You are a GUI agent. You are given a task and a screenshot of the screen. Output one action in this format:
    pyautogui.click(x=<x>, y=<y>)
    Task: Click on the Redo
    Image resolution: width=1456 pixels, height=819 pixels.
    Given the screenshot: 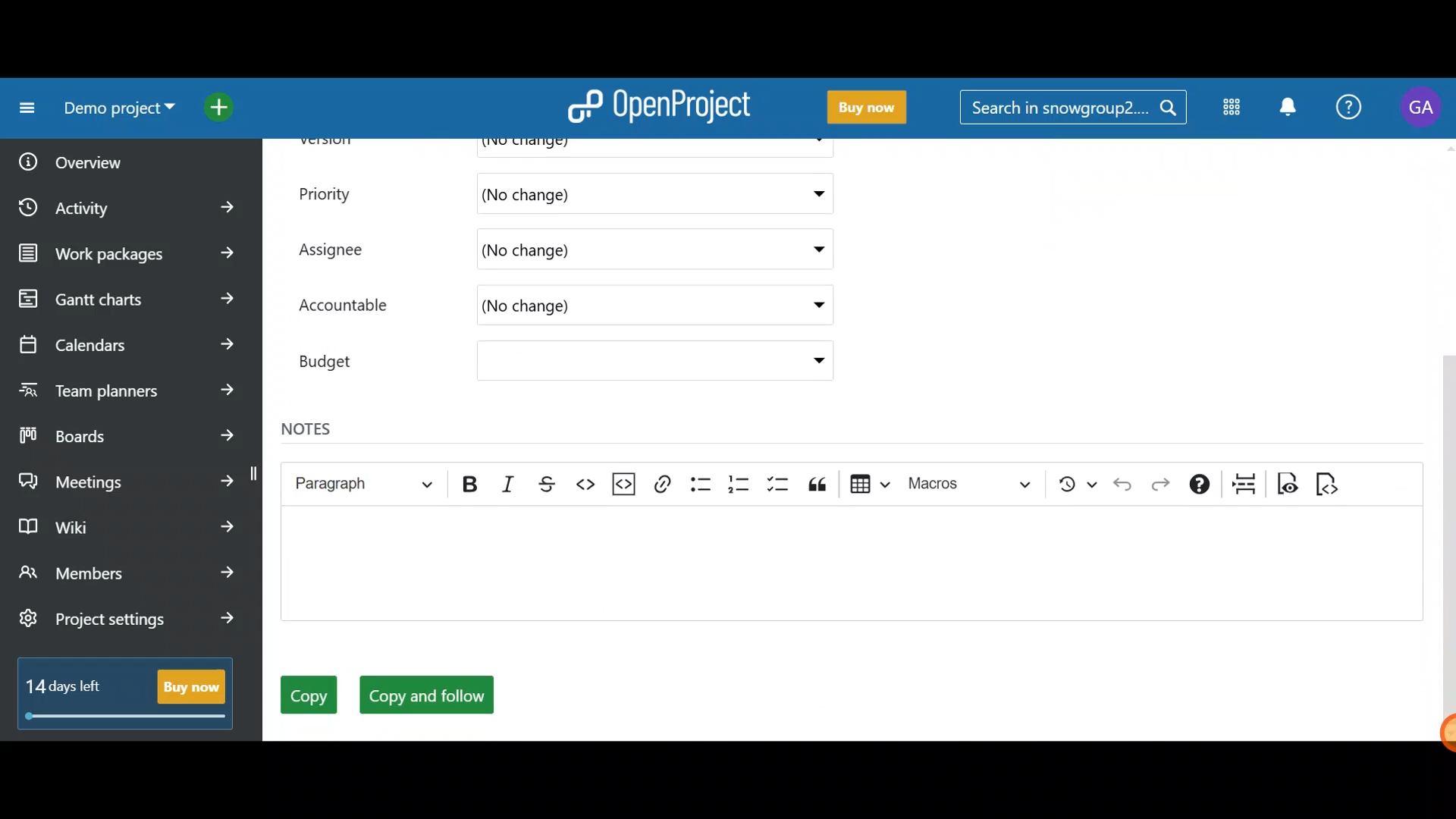 What is the action you would take?
    pyautogui.click(x=1161, y=488)
    